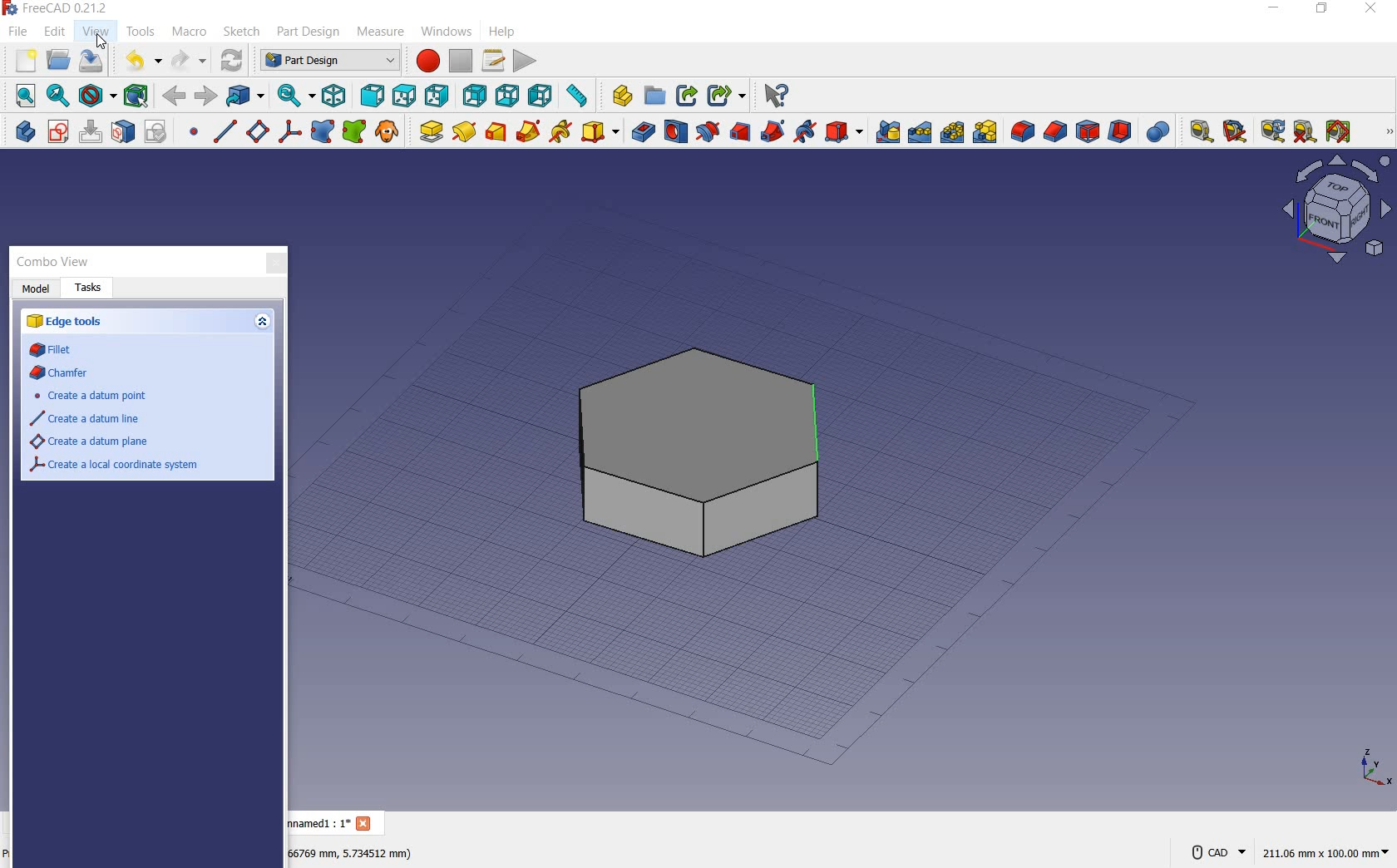 The height and width of the screenshot is (868, 1397). I want to click on measure angular, so click(1236, 133).